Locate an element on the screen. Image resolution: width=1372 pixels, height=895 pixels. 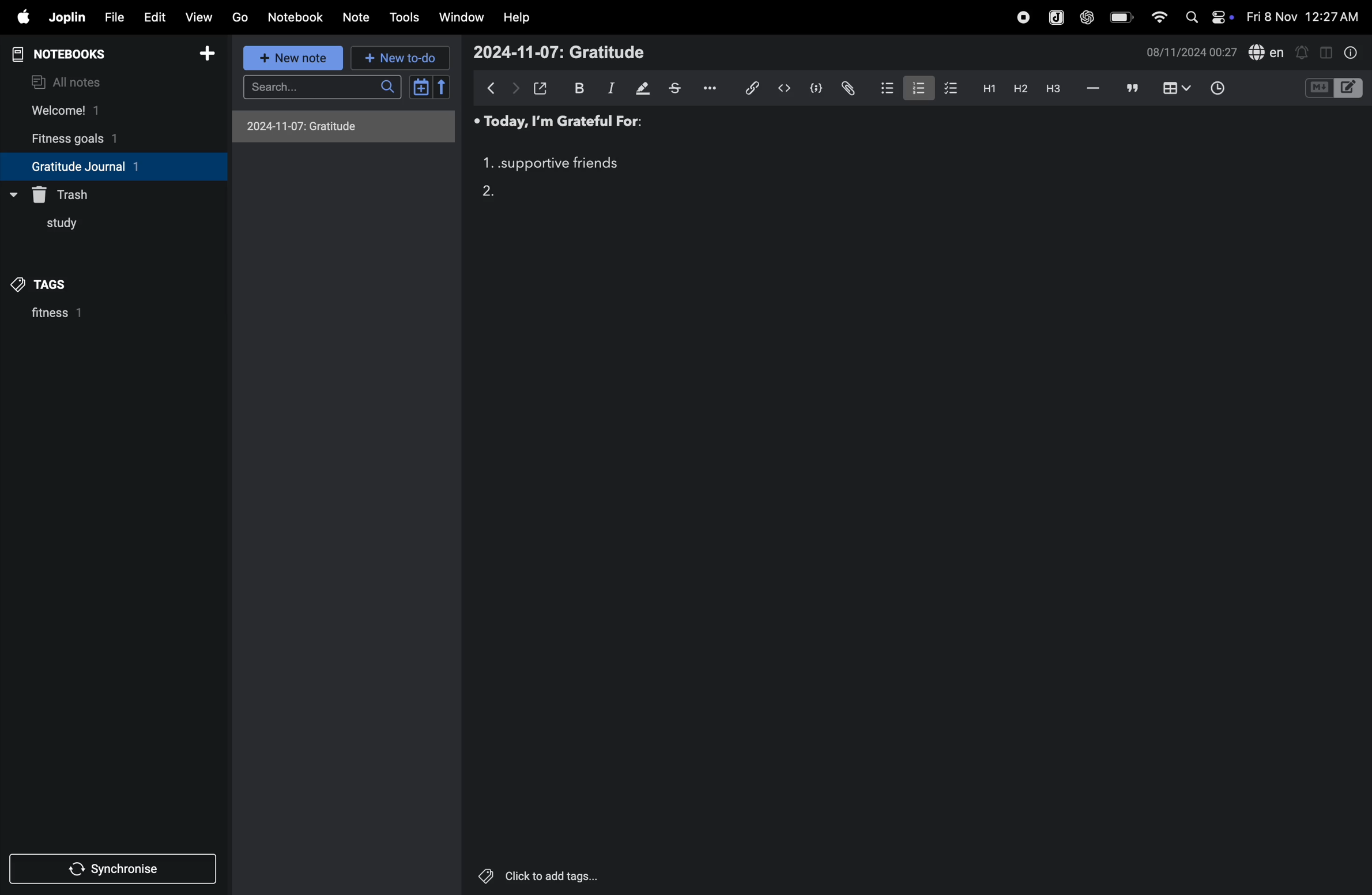
backward is located at coordinates (492, 88).